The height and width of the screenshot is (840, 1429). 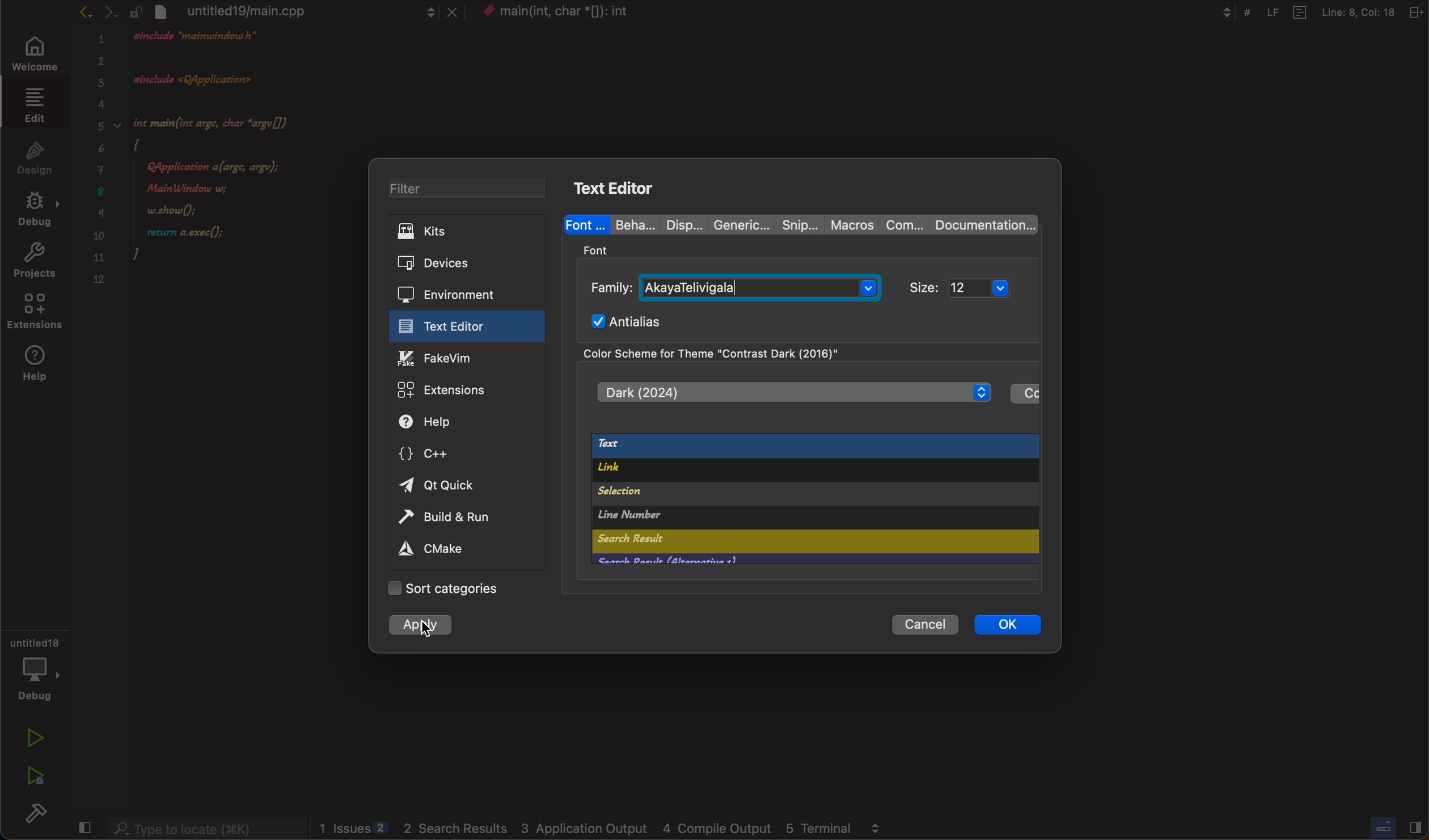 I want to click on beha, so click(x=630, y=224).